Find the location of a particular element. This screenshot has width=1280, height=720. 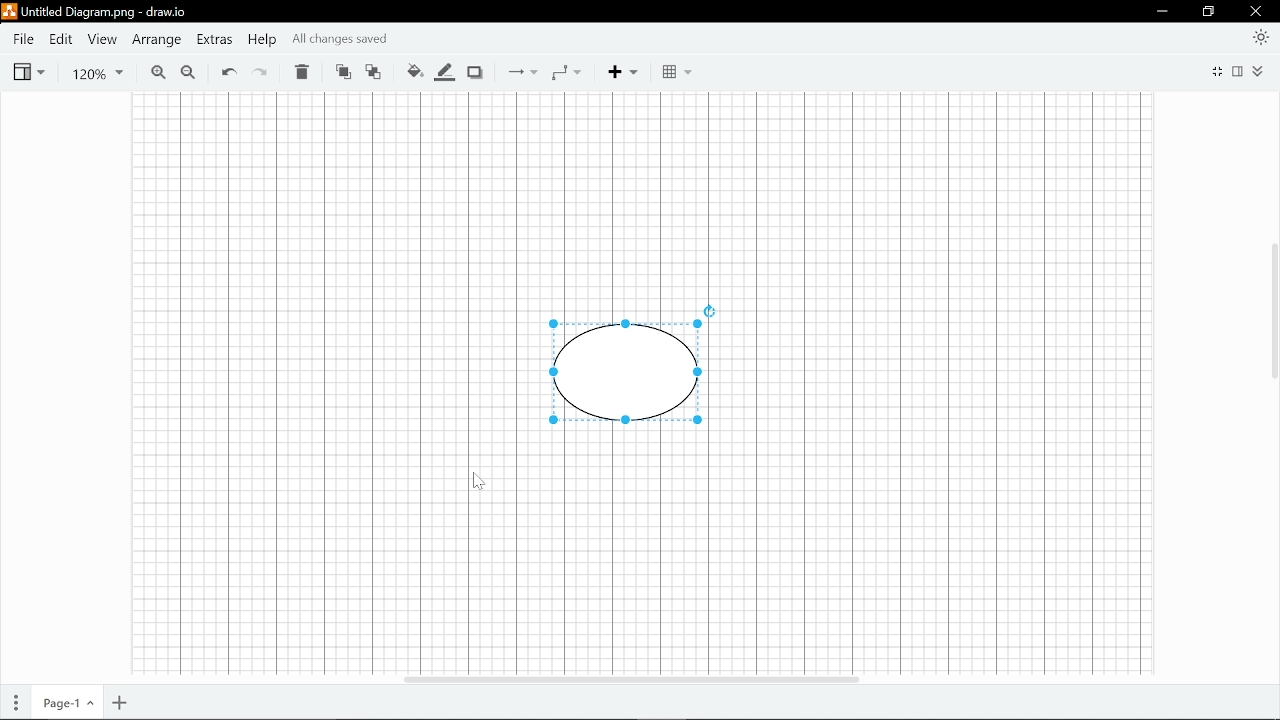

File name - Untitled Diagram.drawio - draw.io is located at coordinates (101, 10).